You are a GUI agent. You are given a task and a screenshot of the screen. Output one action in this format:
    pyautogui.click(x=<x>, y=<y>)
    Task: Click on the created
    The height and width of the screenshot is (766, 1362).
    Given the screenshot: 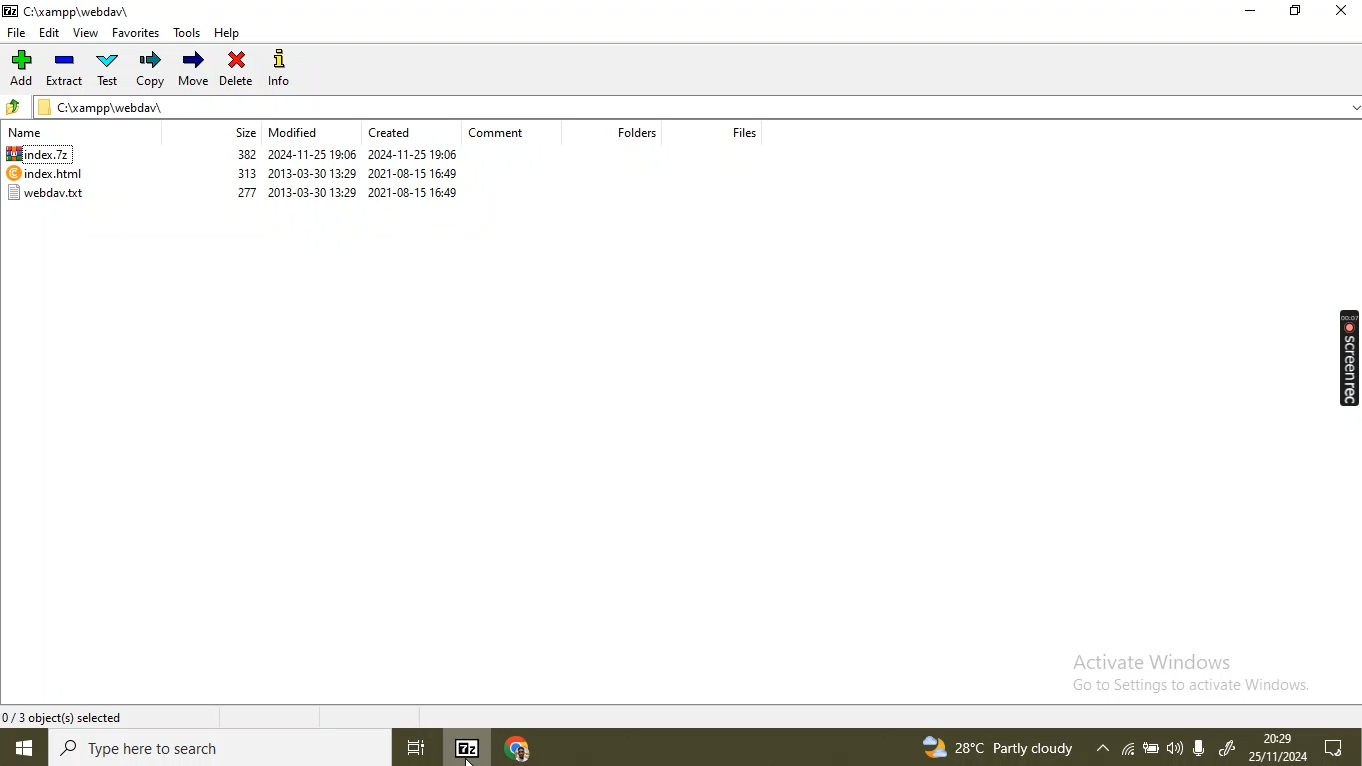 What is the action you would take?
    pyautogui.click(x=410, y=134)
    